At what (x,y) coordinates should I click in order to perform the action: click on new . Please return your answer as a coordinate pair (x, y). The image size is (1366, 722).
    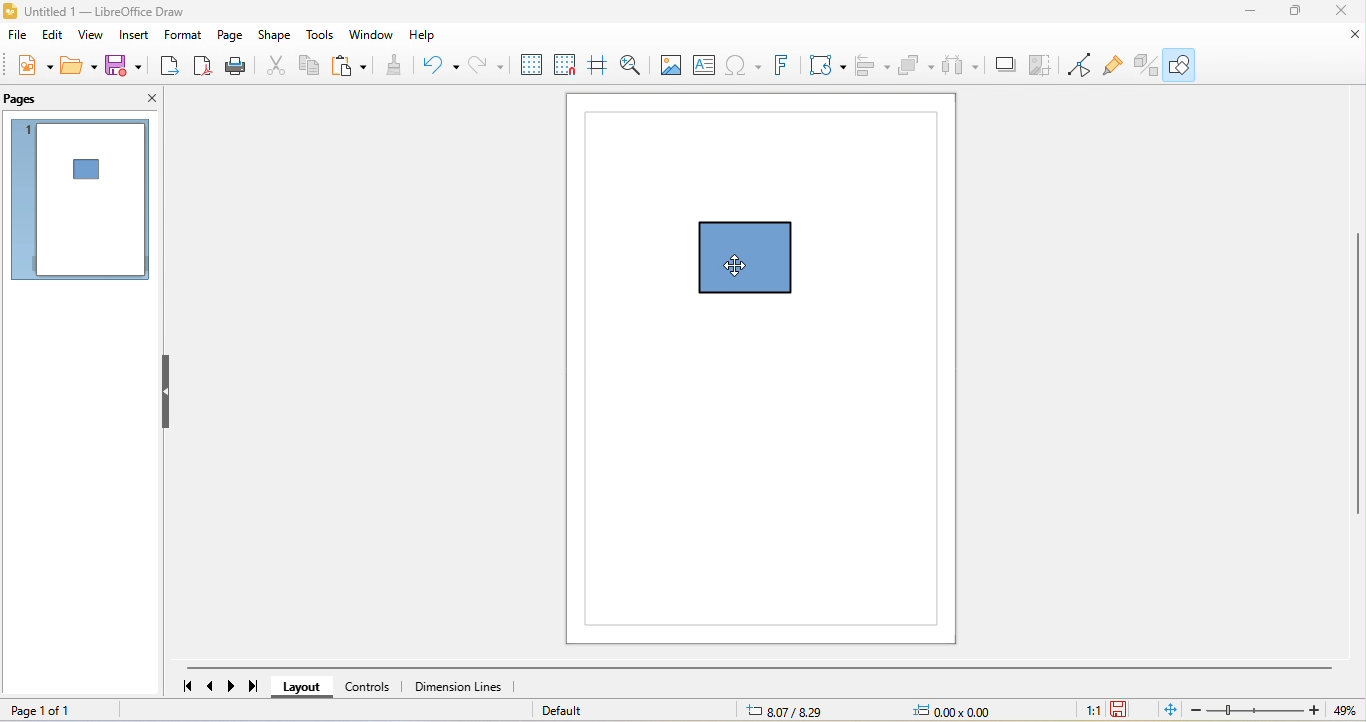
    Looking at the image, I should click on (34, 62).